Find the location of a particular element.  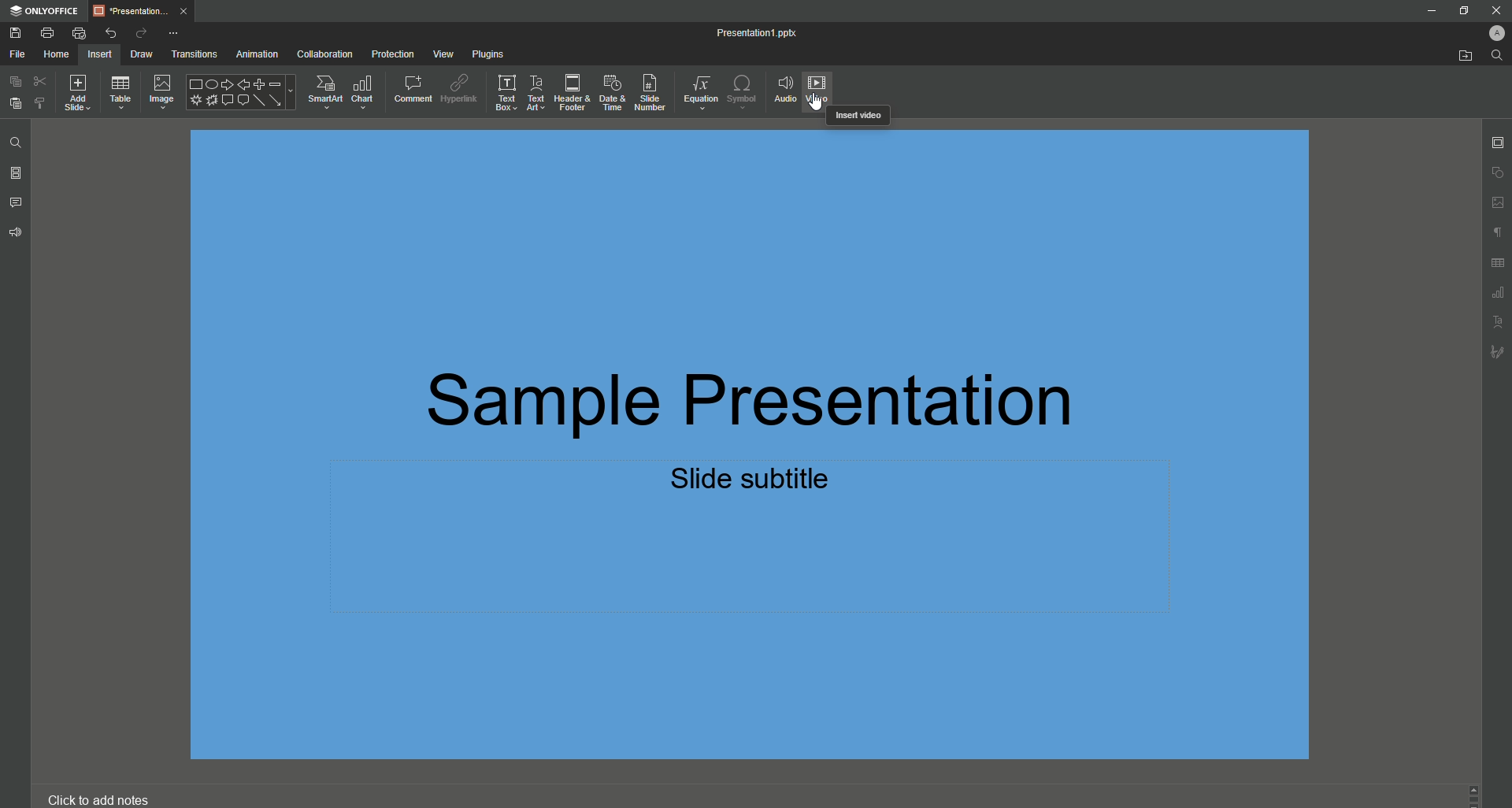

Insert is located at coordinates (102, 54).